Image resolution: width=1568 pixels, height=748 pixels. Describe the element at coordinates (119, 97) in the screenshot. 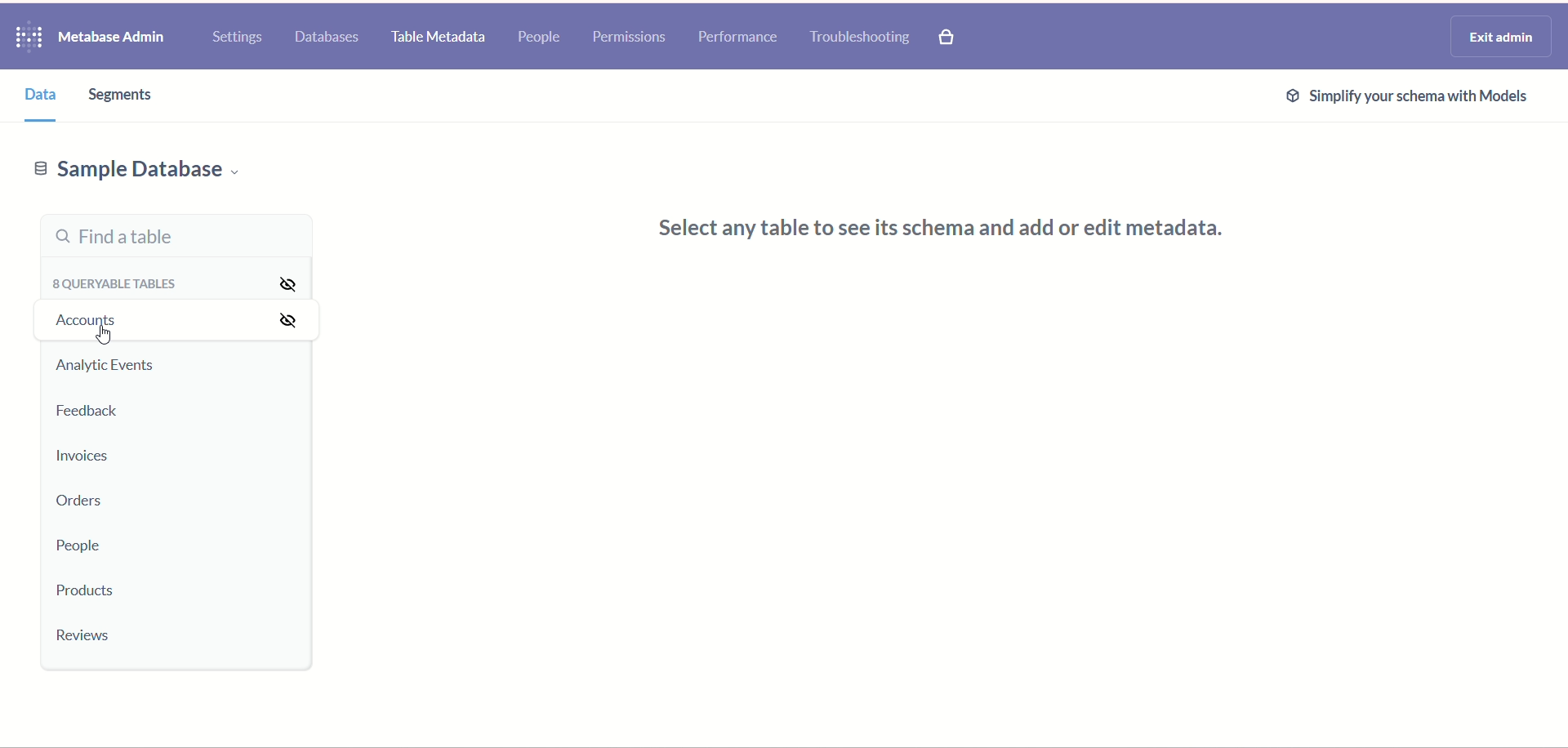

I see `segments` at that location.